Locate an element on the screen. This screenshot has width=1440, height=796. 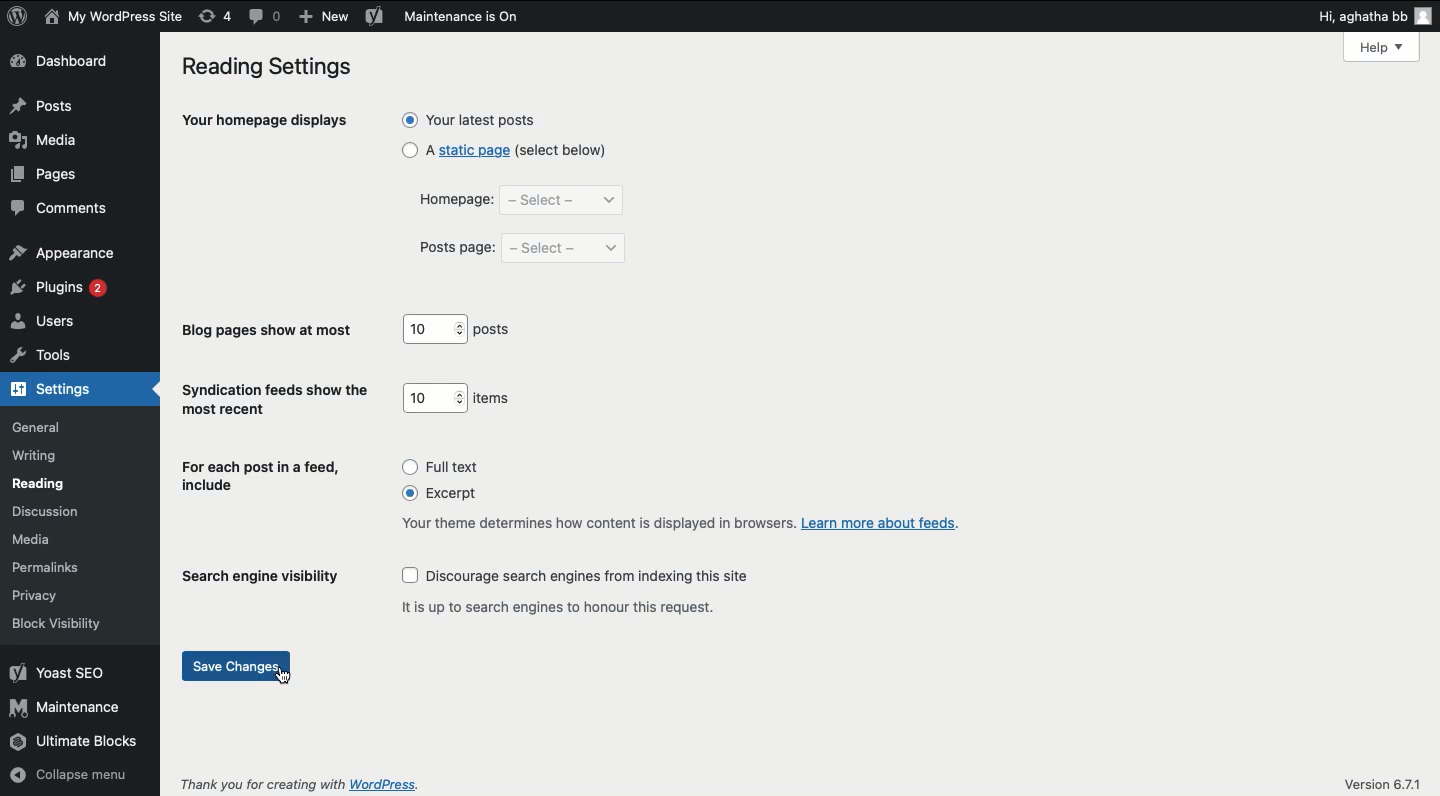
discourage search engines from indexing this site is located at coordinates (576, 576).